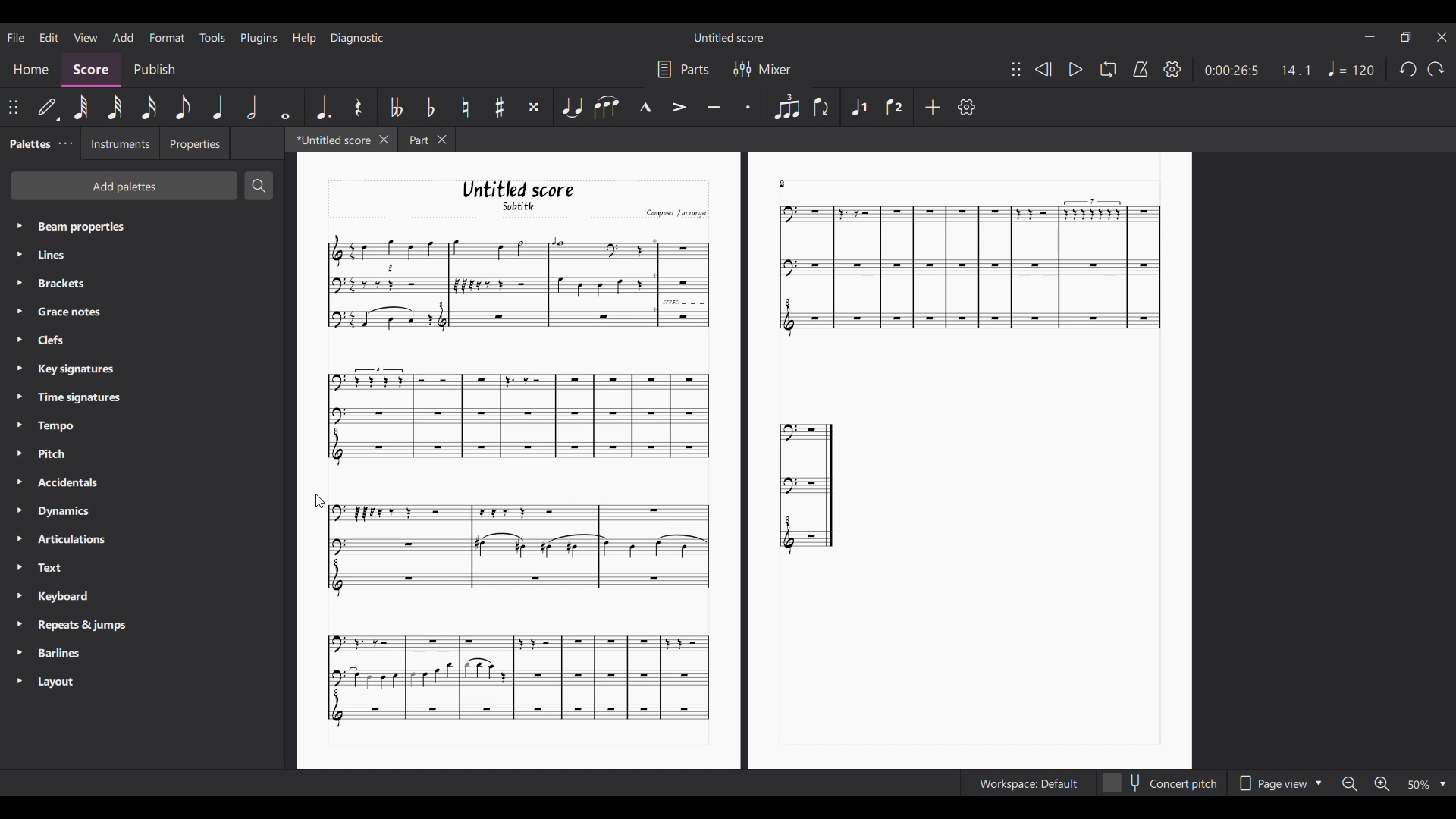  Describe the element at coordinates (183, 107) in the screenshot. I see `8th note` at that location.